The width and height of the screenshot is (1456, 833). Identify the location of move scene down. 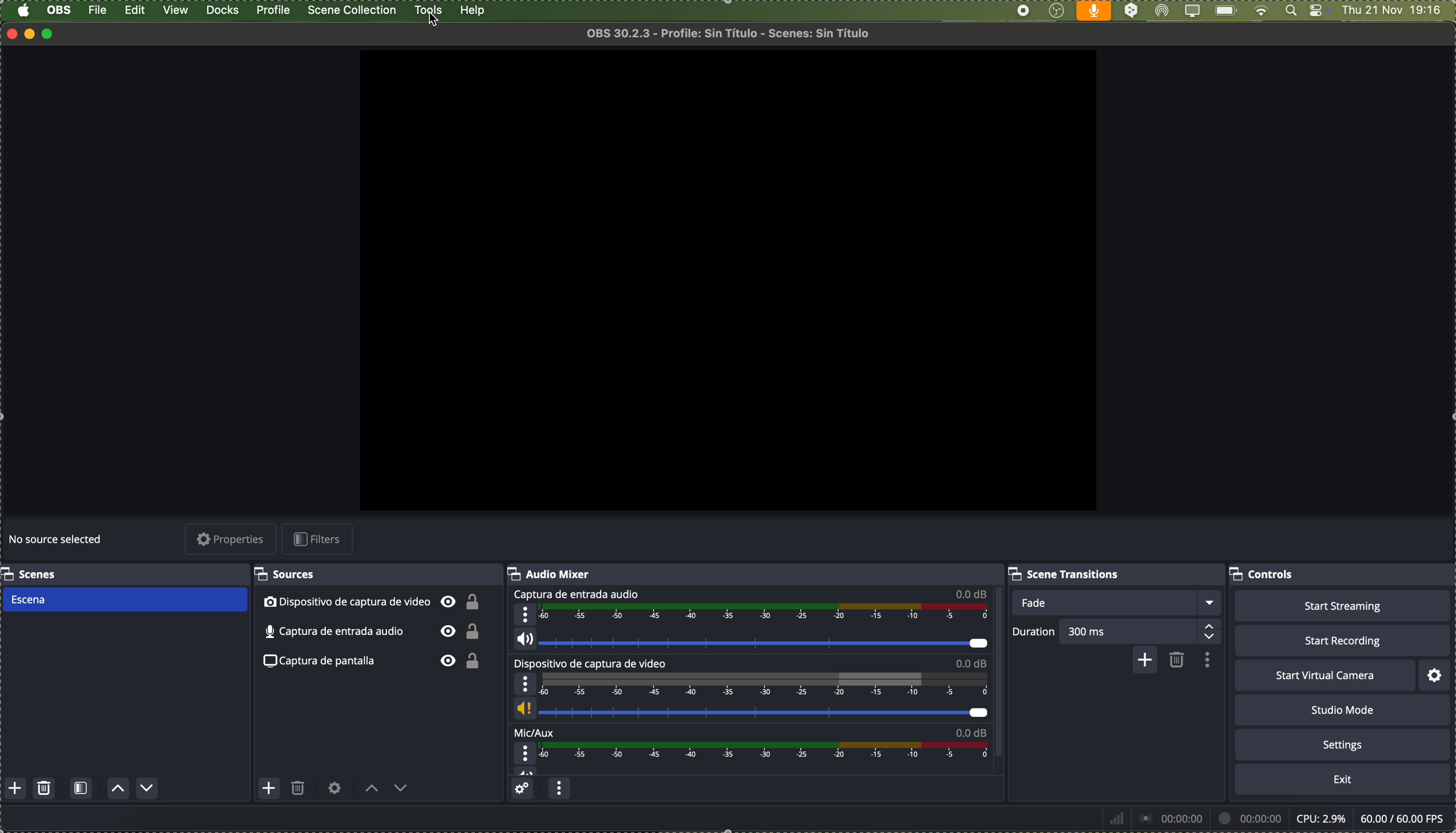
(148, 788).